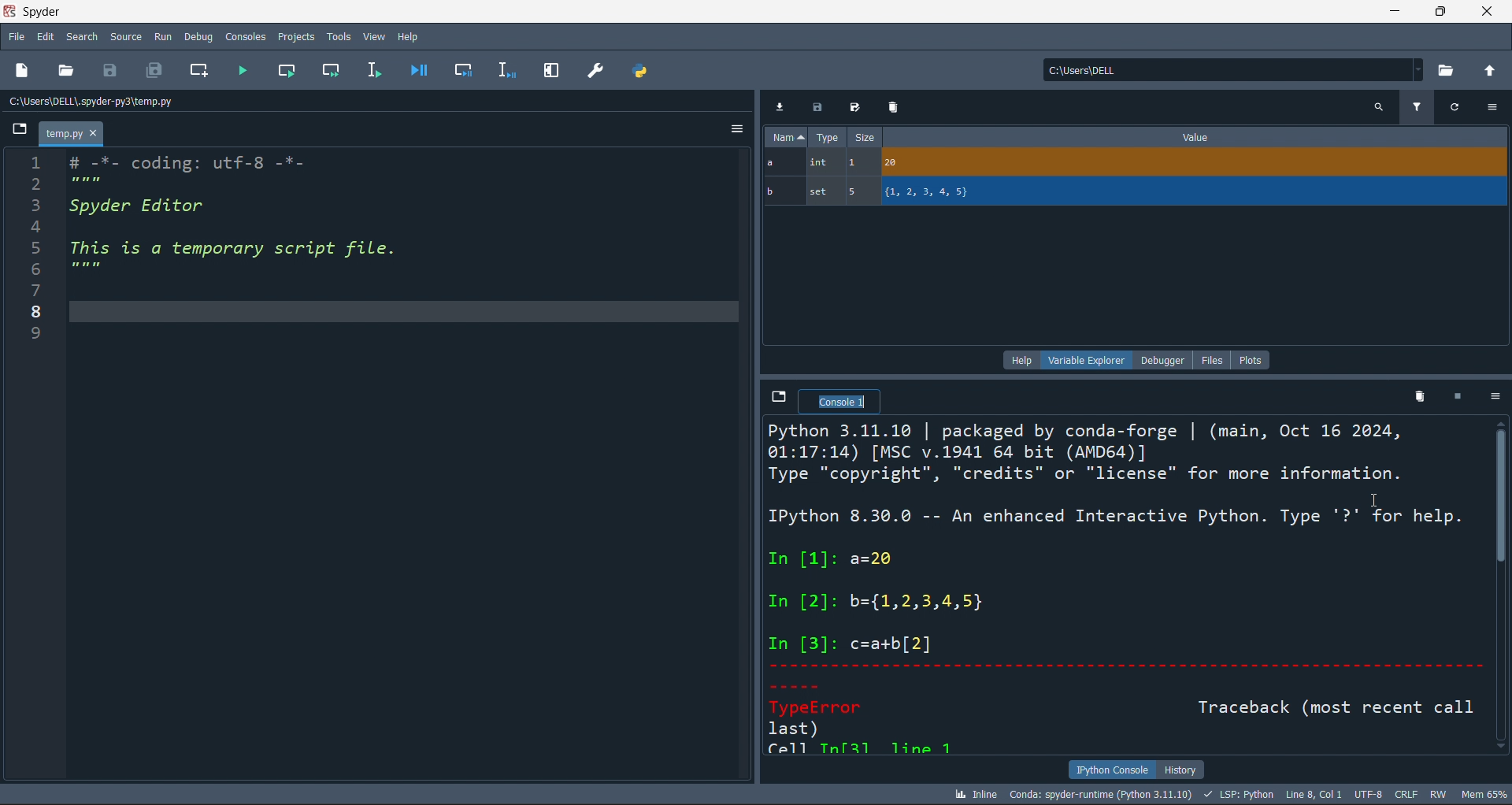 The width and height of the screenshot is (1512, 805). What do you see at coordinates (293, 72) in the screenshot?
I see `run cell` at bounding box center [293, 72].